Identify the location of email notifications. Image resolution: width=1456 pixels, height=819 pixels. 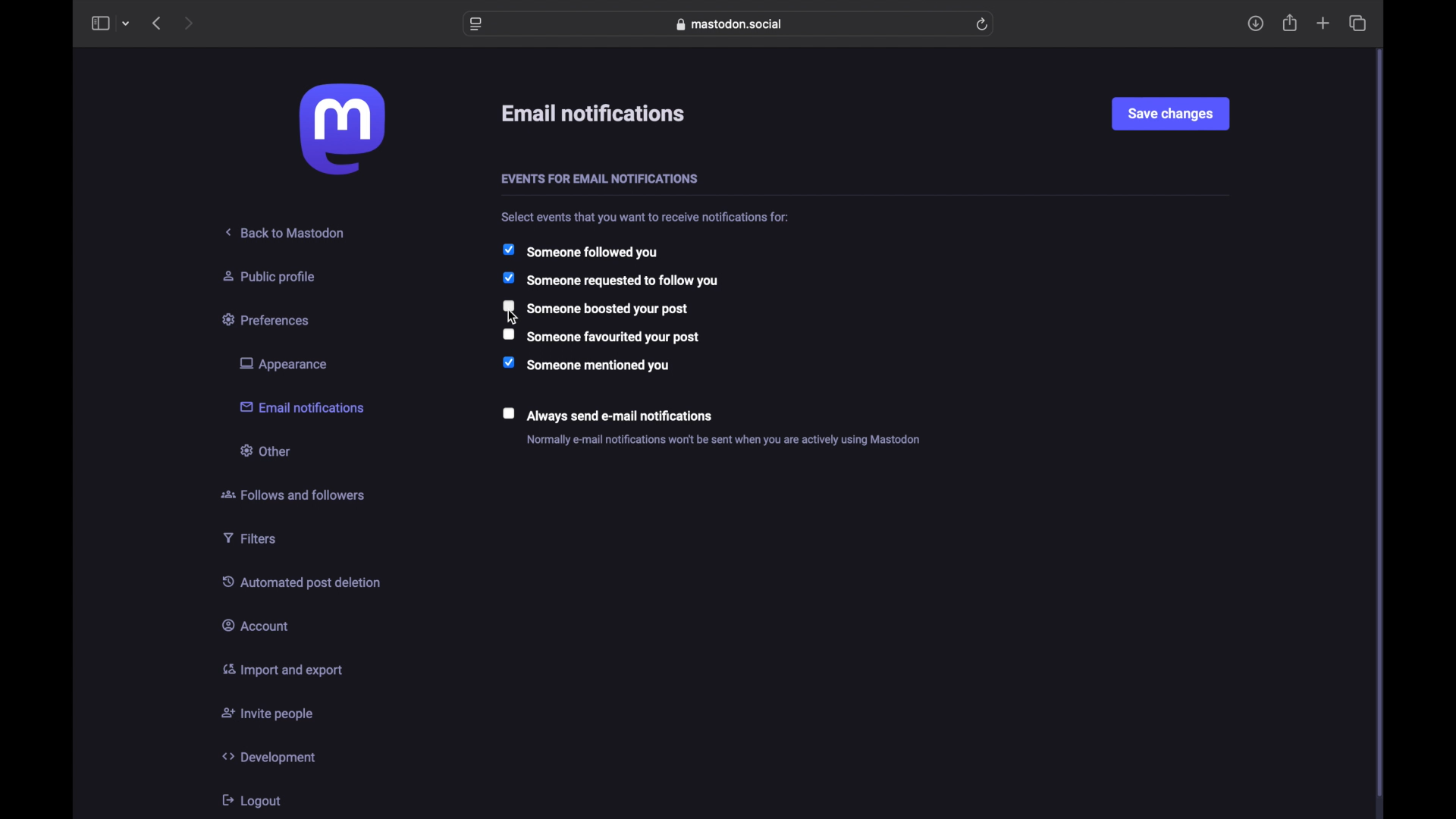
(595, 114).